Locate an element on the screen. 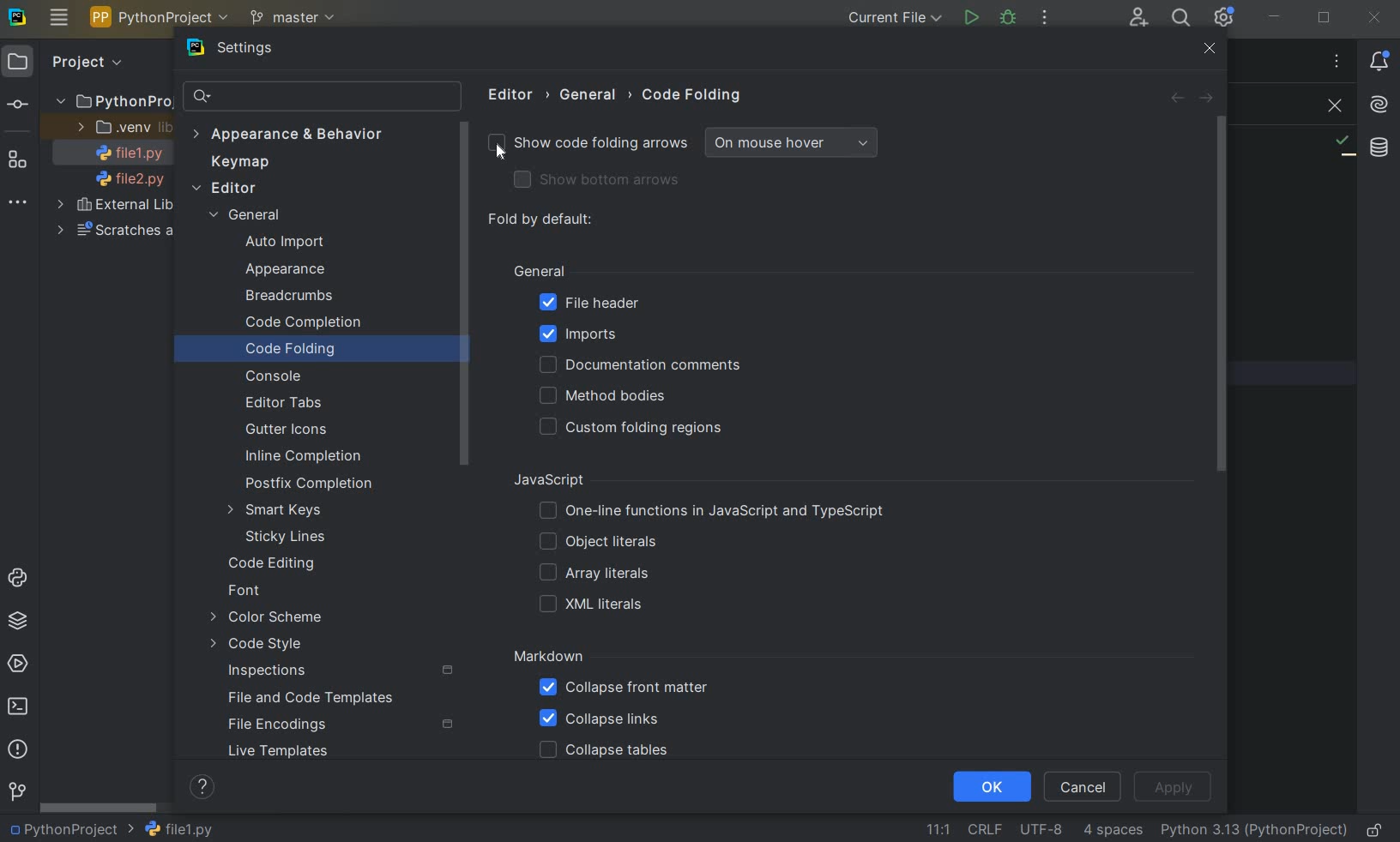 Image resolution: width=1400 pixels, height=842 pixels. AUTO IMPORT is located at coordinates (284, 243).